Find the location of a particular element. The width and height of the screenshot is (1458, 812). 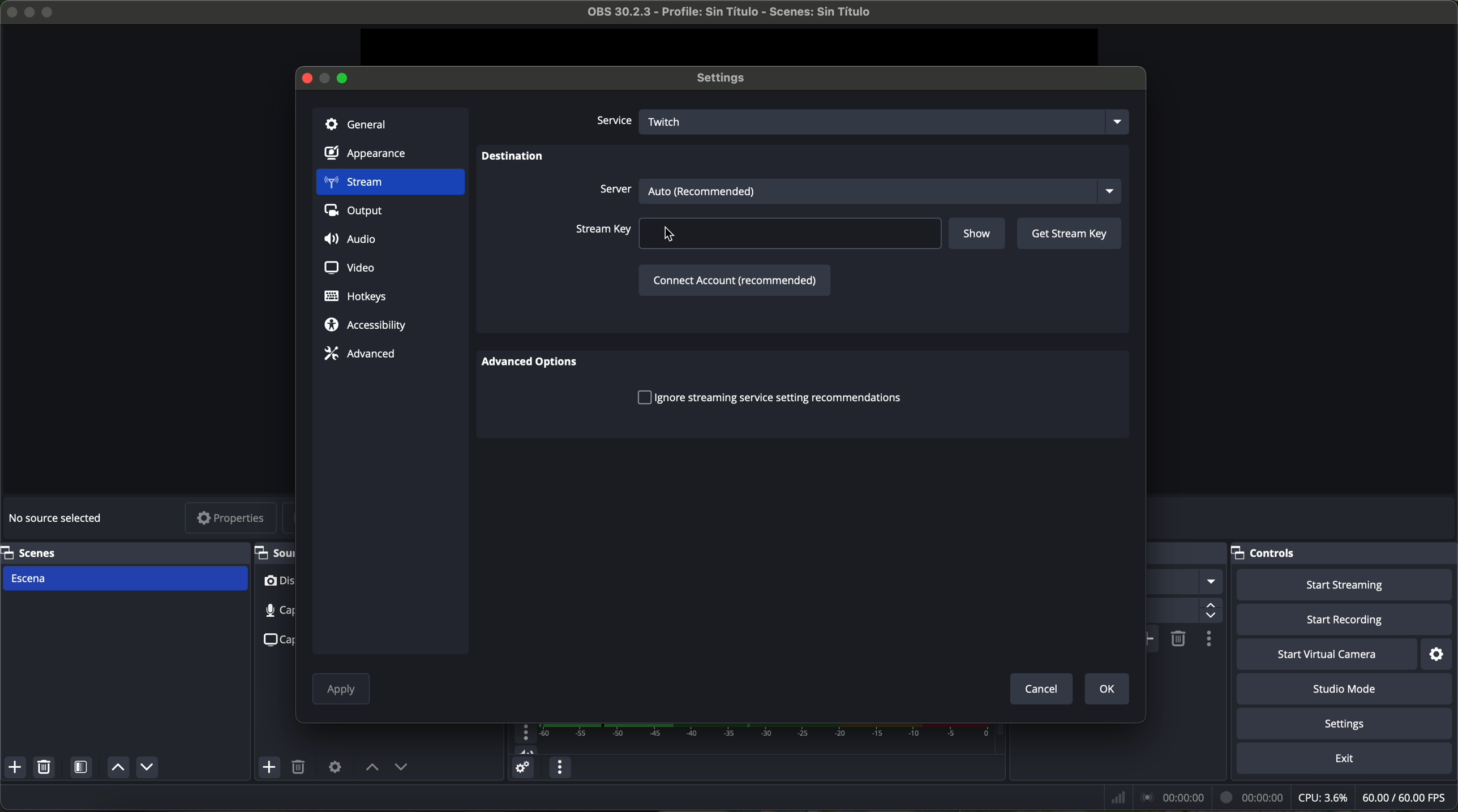

close window is located at coordinates (307, 77).